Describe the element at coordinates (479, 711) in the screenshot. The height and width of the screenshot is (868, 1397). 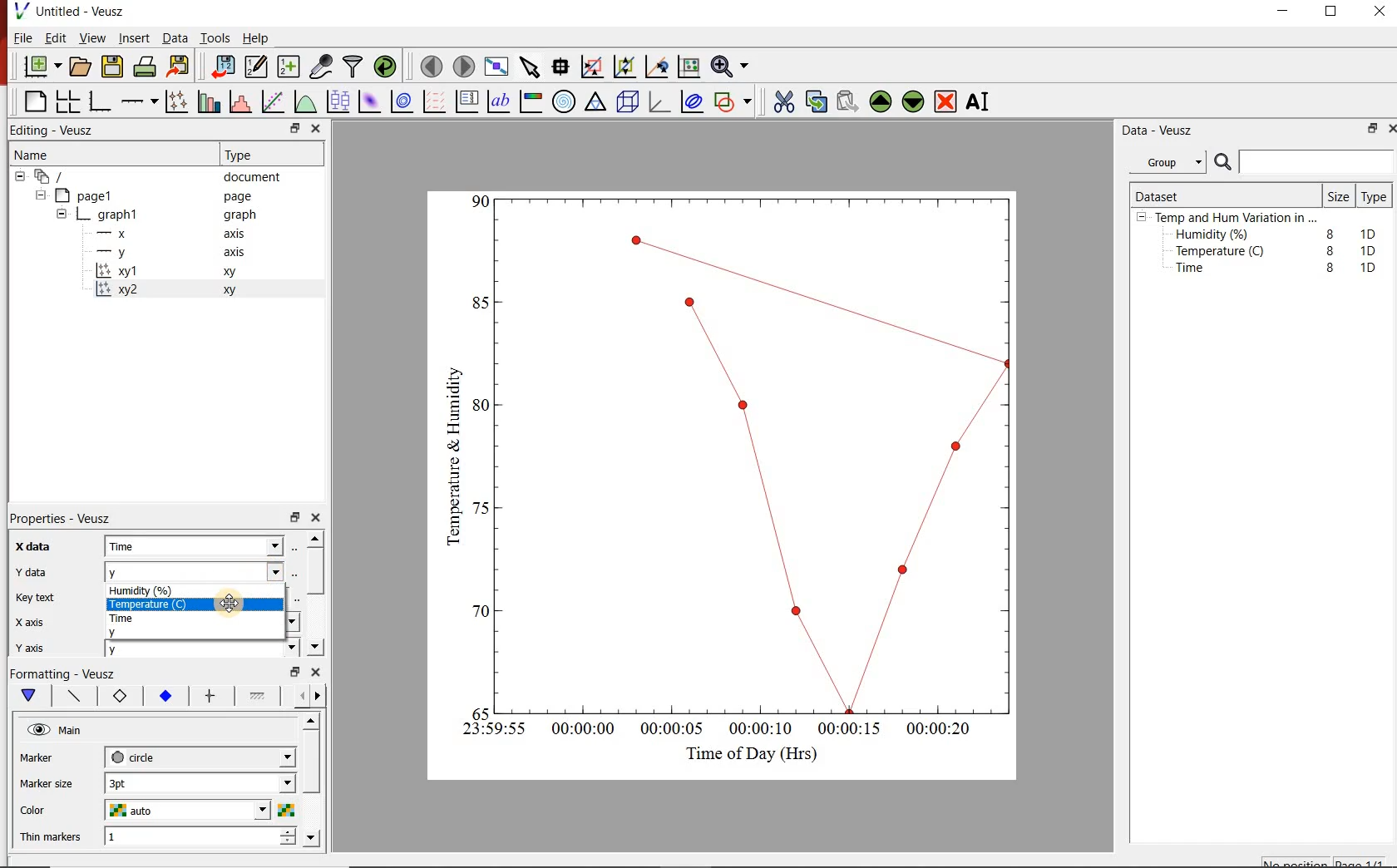
I see `0` at that location.